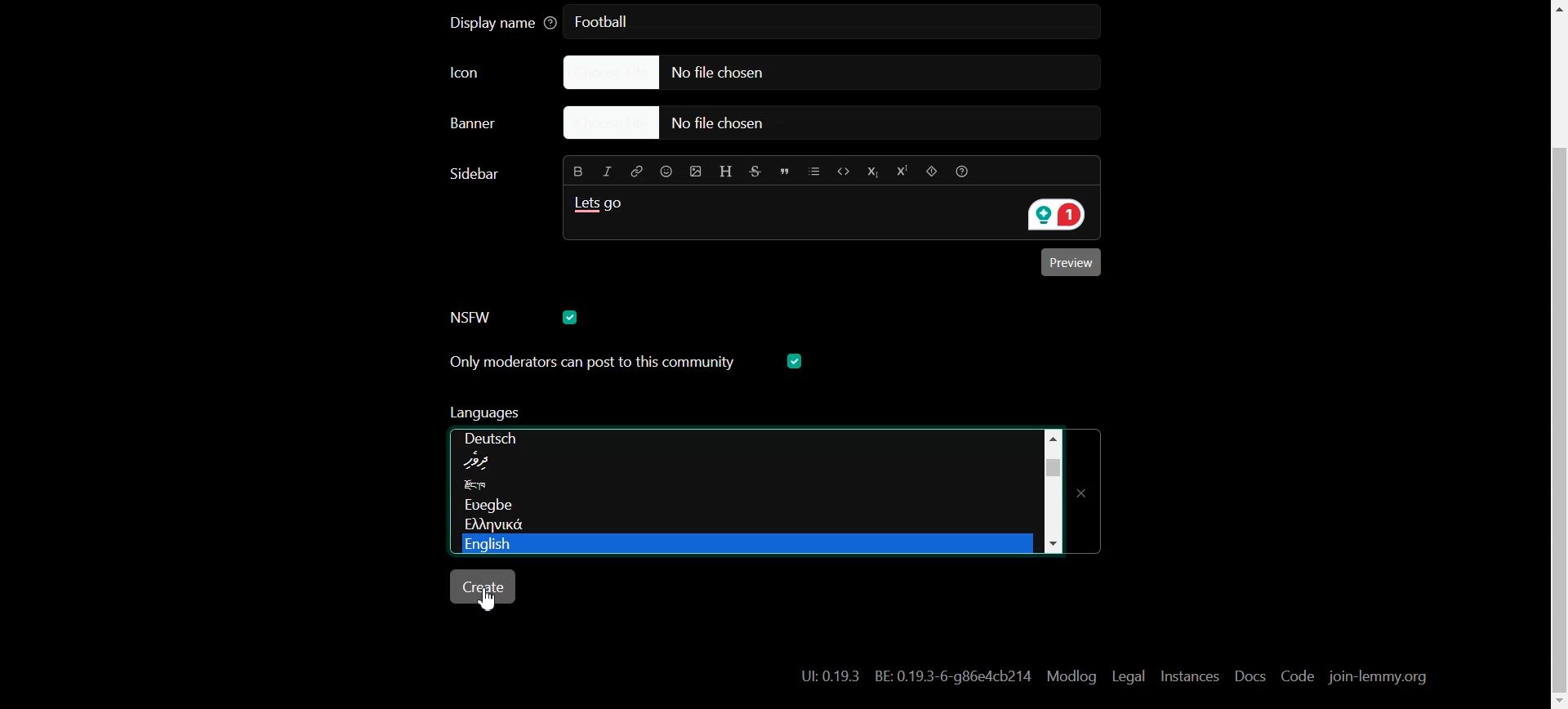 Image resolution: width=1568 pixels, height=709 pixels. Describe the element at coordinates (1087, 486) in the screenshot. I see `Close Window` at that location.